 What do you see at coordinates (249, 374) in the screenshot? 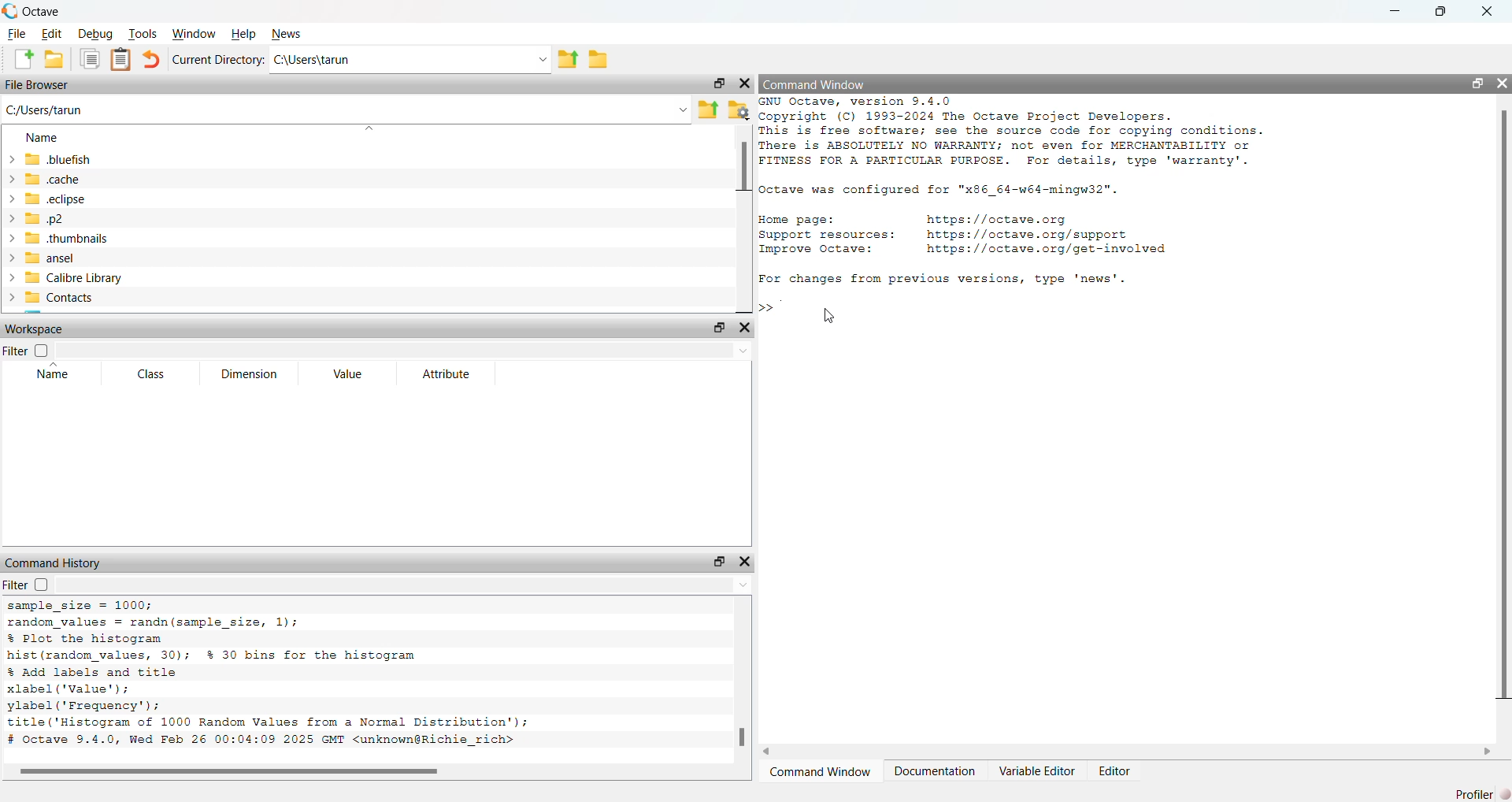
I see `Dimension` at bounding box center [249, 374].